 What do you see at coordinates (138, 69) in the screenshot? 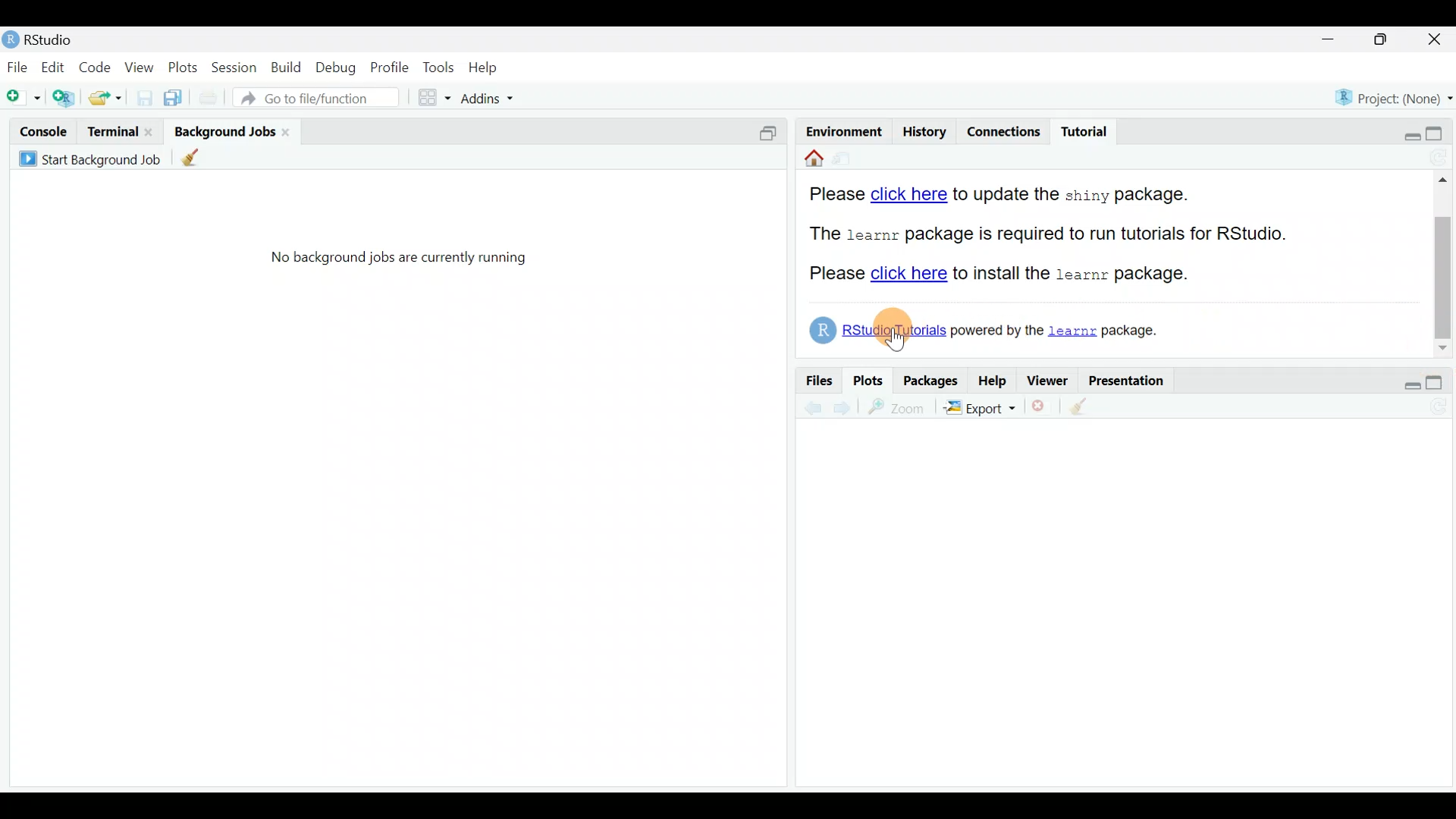
I see `View` at bounding box center [138, 69].